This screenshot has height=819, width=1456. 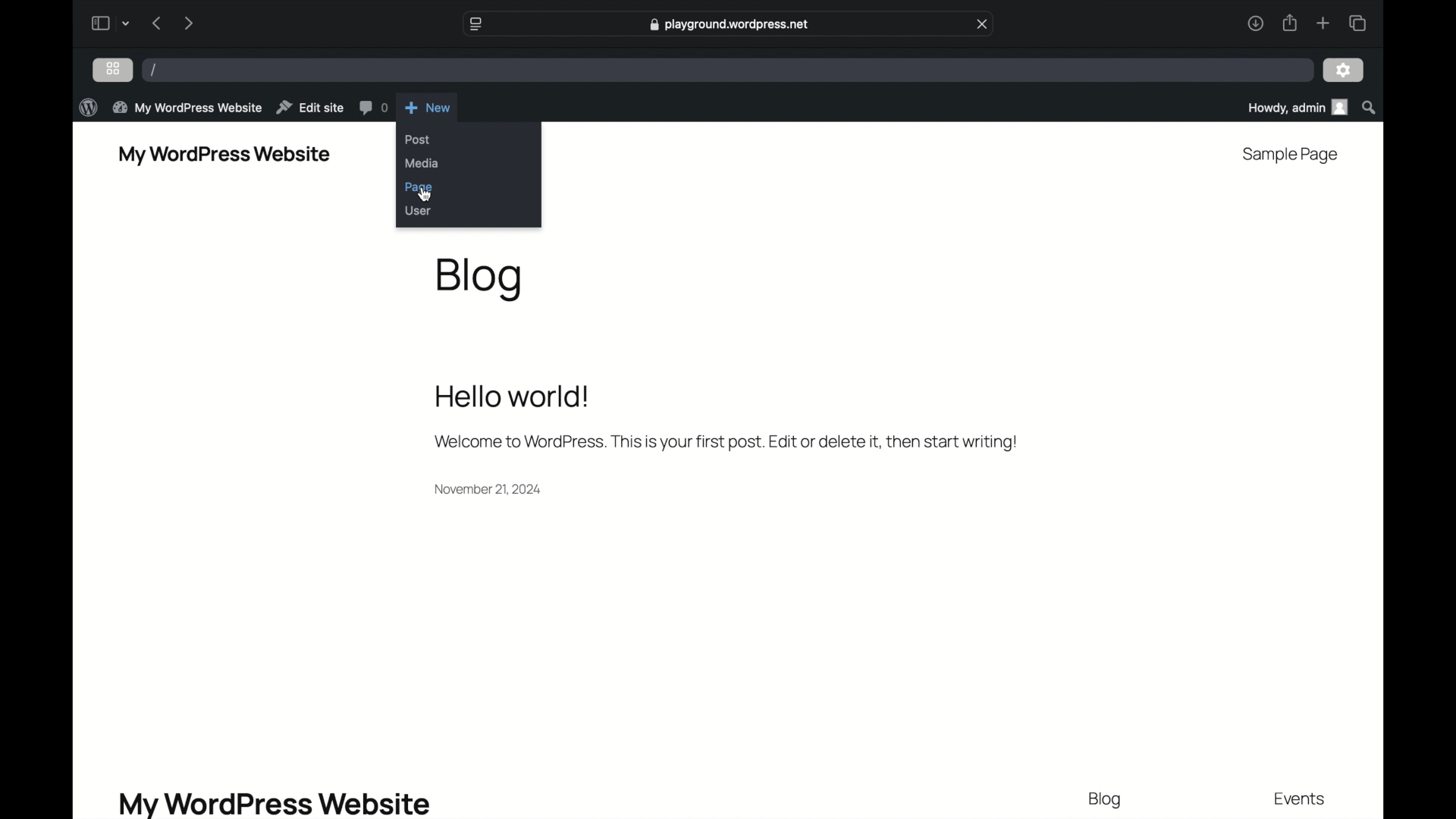 What do you see at coordinates (419, 211) in the screenshot?
I see `user` at bounding box center [419, 211].